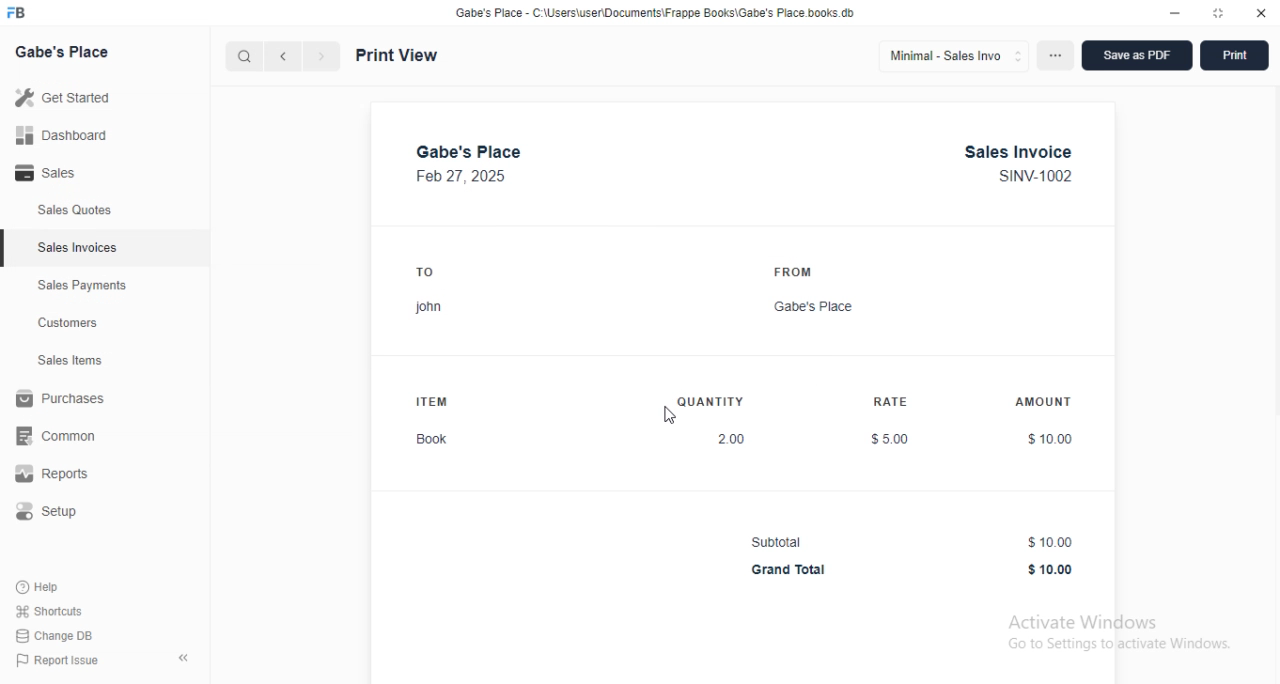 Image resolution: width=1280 pixels, height=684 pixels. Describe the element at coordinates (55, 436) in the screenshot. I see `common` at that location.